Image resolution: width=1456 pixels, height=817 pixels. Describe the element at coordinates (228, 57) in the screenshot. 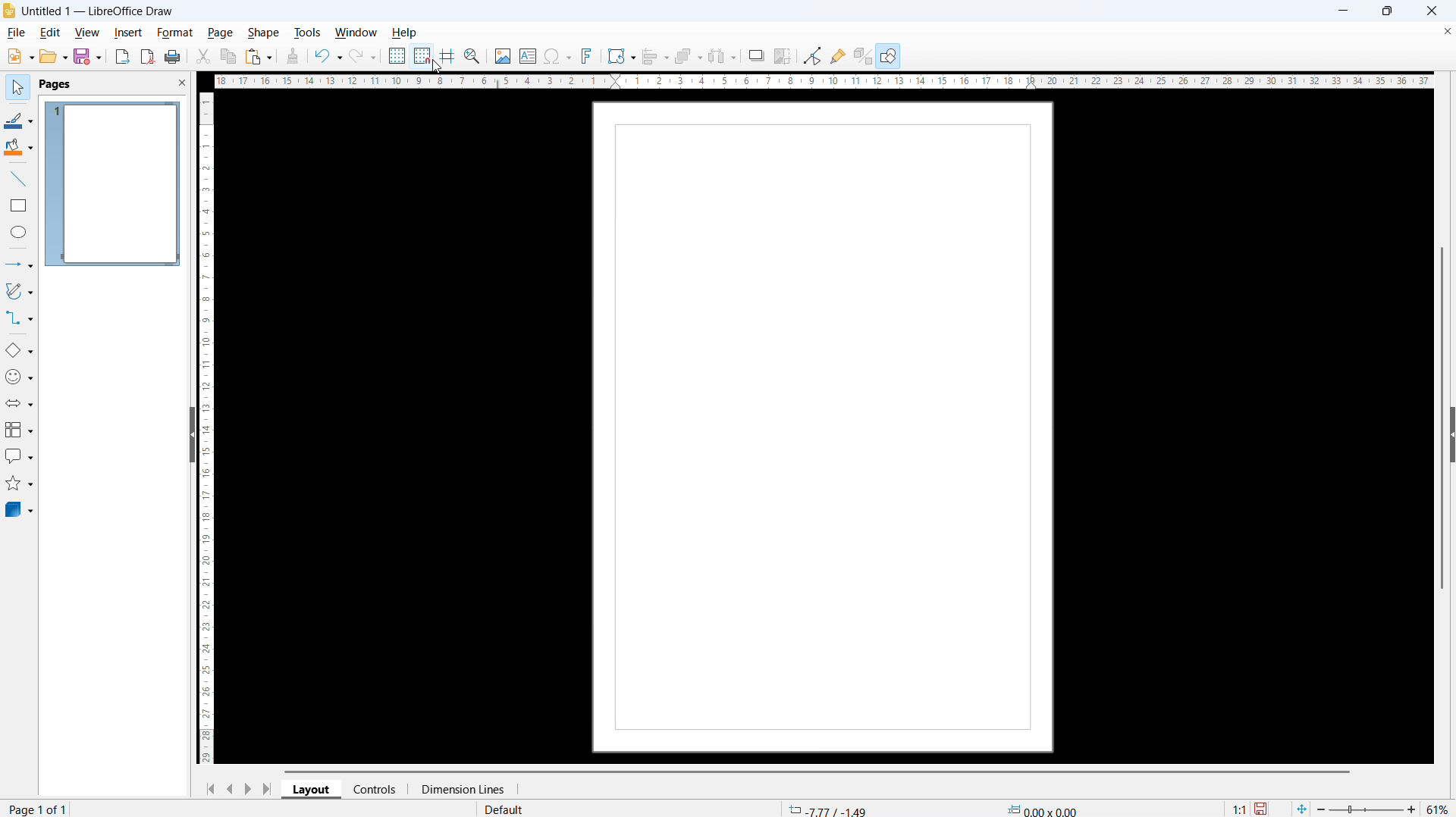

I see `copy ` at that location.